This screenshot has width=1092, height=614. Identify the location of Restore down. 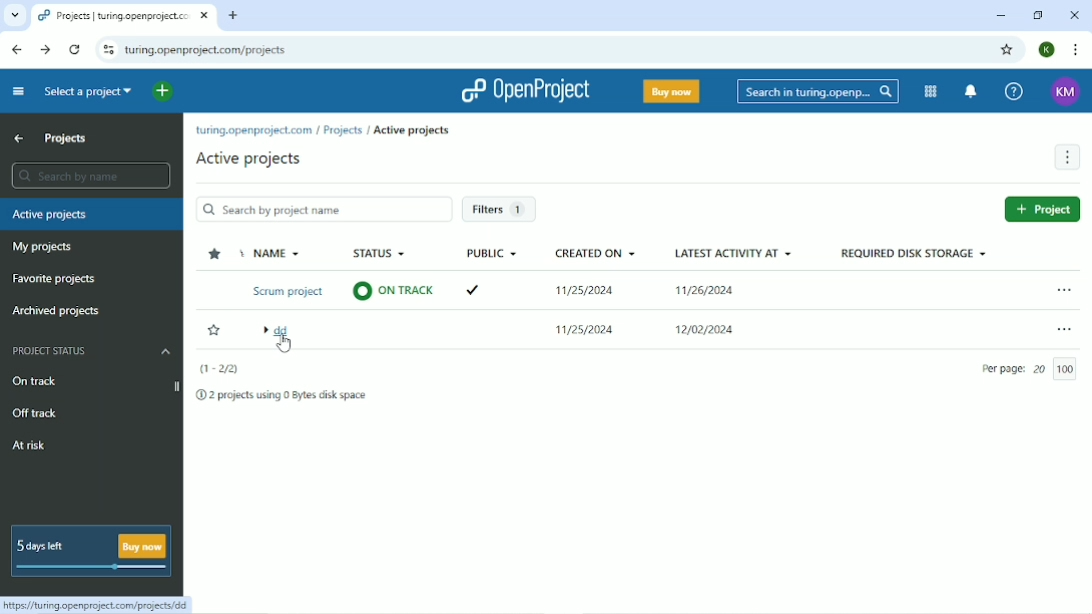
(1041, 16).